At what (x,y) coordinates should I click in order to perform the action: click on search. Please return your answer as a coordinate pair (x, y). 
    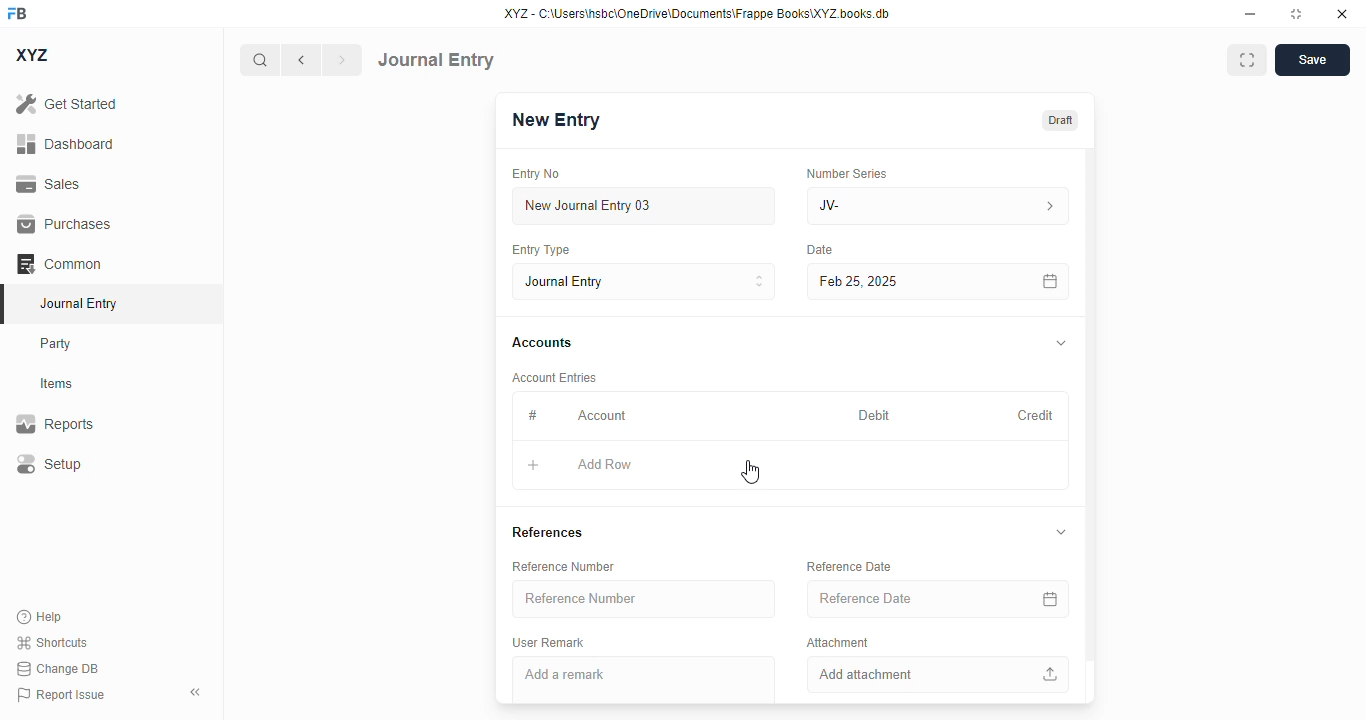
    Looking at the image, I should click on (259, 60).